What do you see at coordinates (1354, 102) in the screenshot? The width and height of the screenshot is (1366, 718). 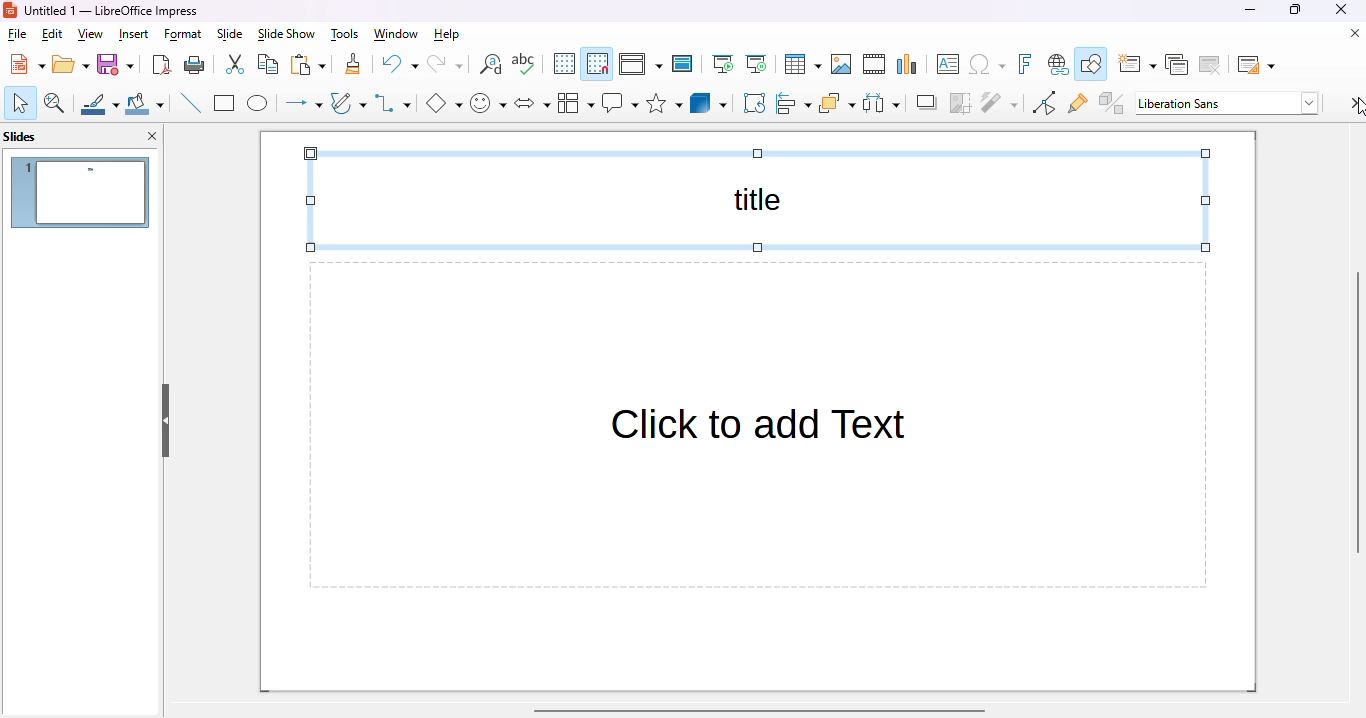 I see `settings` at bounding box center [1354, 102].